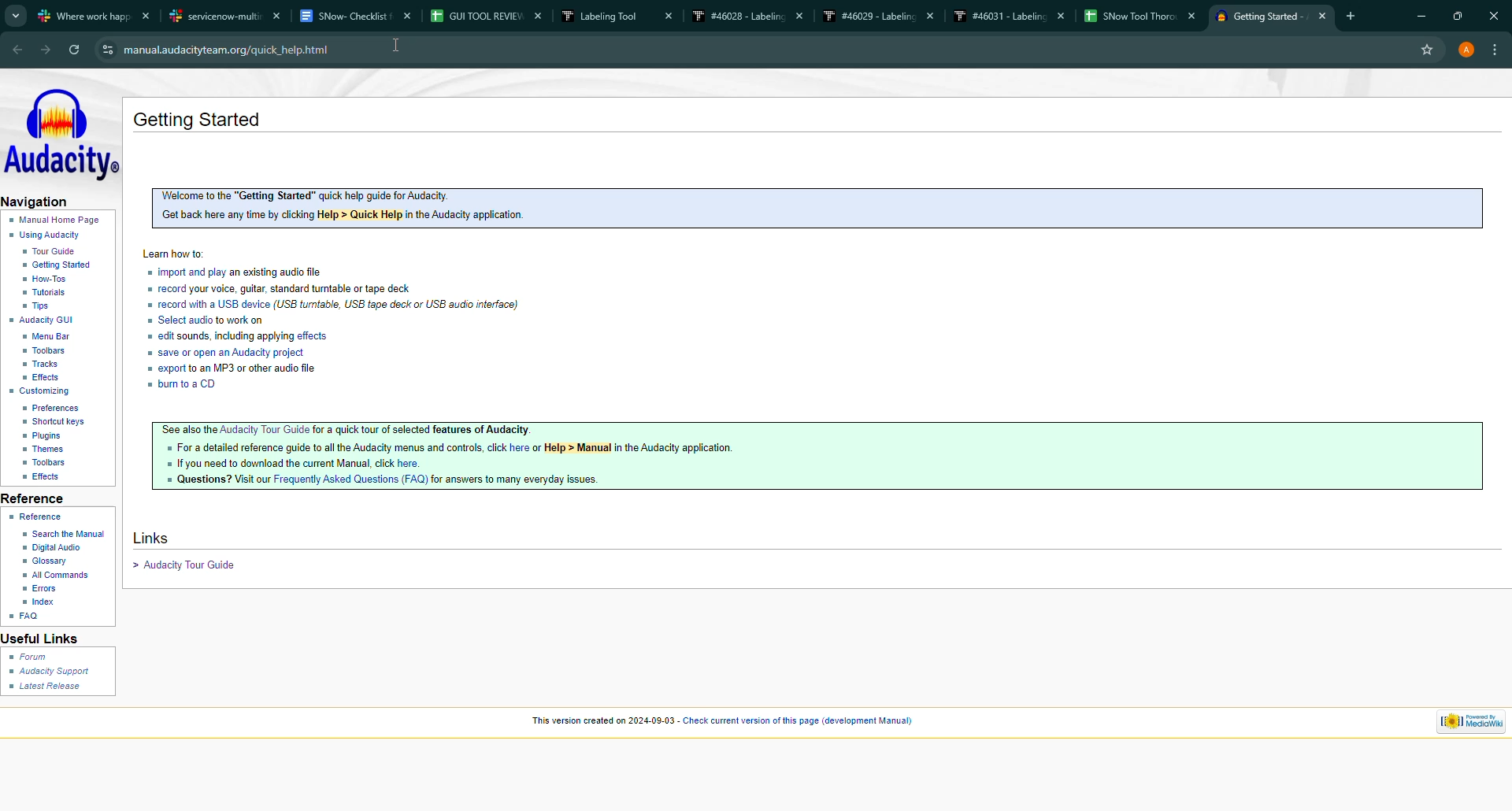  Describe the element at coordinates (48, 353) in the screenshot. I see `toolbar` at that location.